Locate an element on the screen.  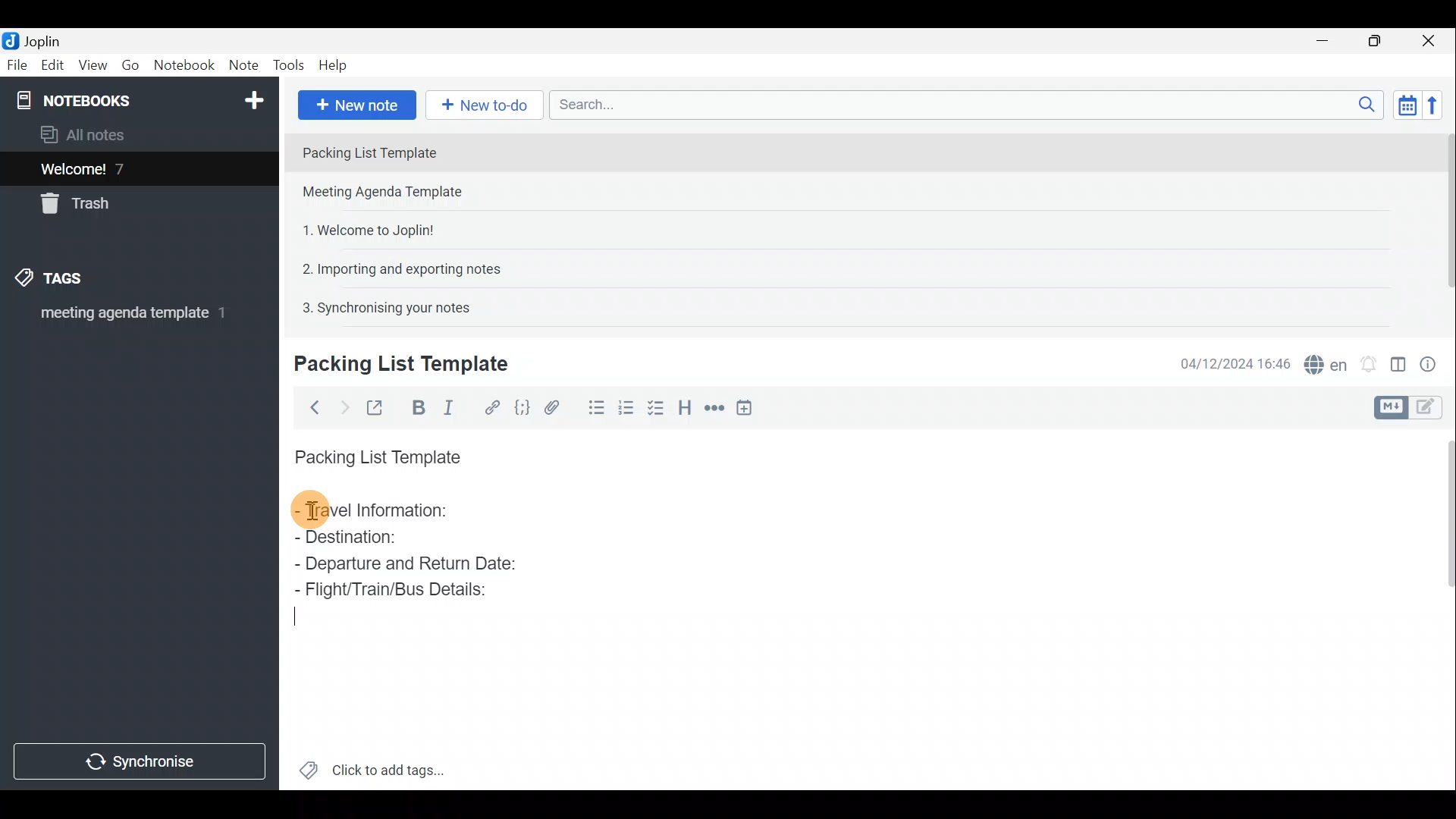
Cursor is located at coordinates (312, 622).